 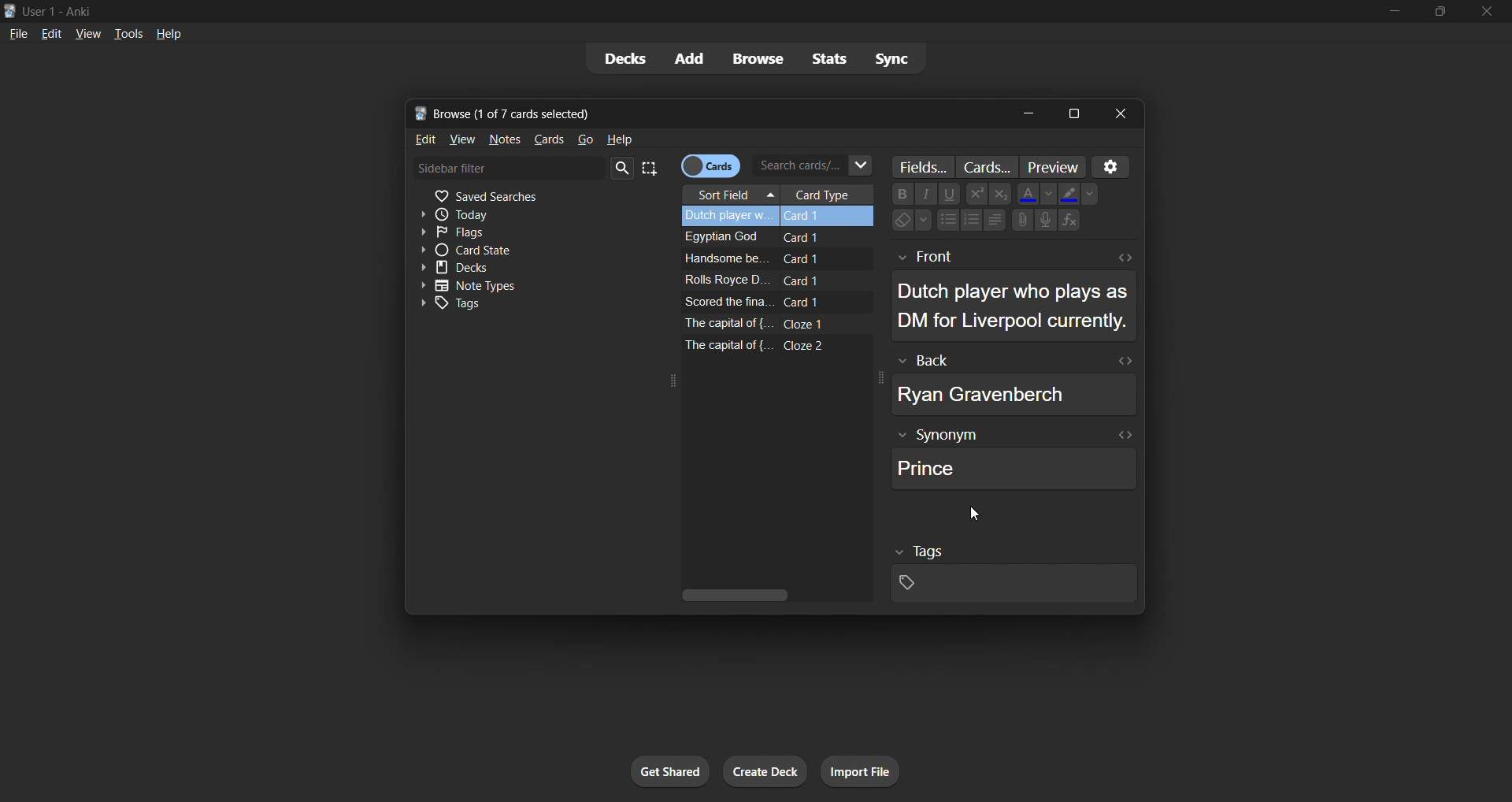 I want to click on cursor, so click(x=978, y=512).